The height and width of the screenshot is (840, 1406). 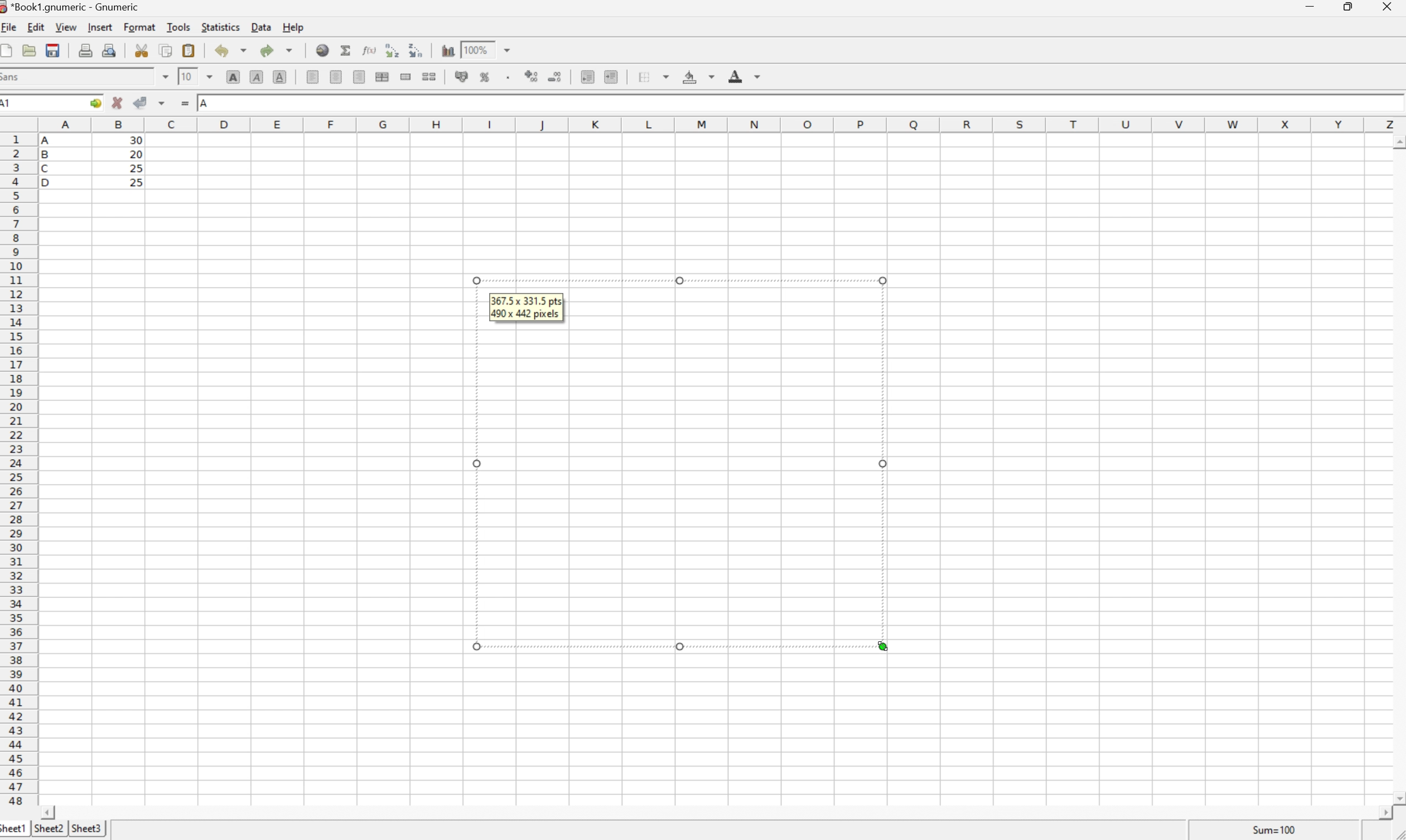 What do you see at coordinates (532, 78) in the screenshot?
I see `Increase number of decimals displayed` at bounding box center [532, 78].